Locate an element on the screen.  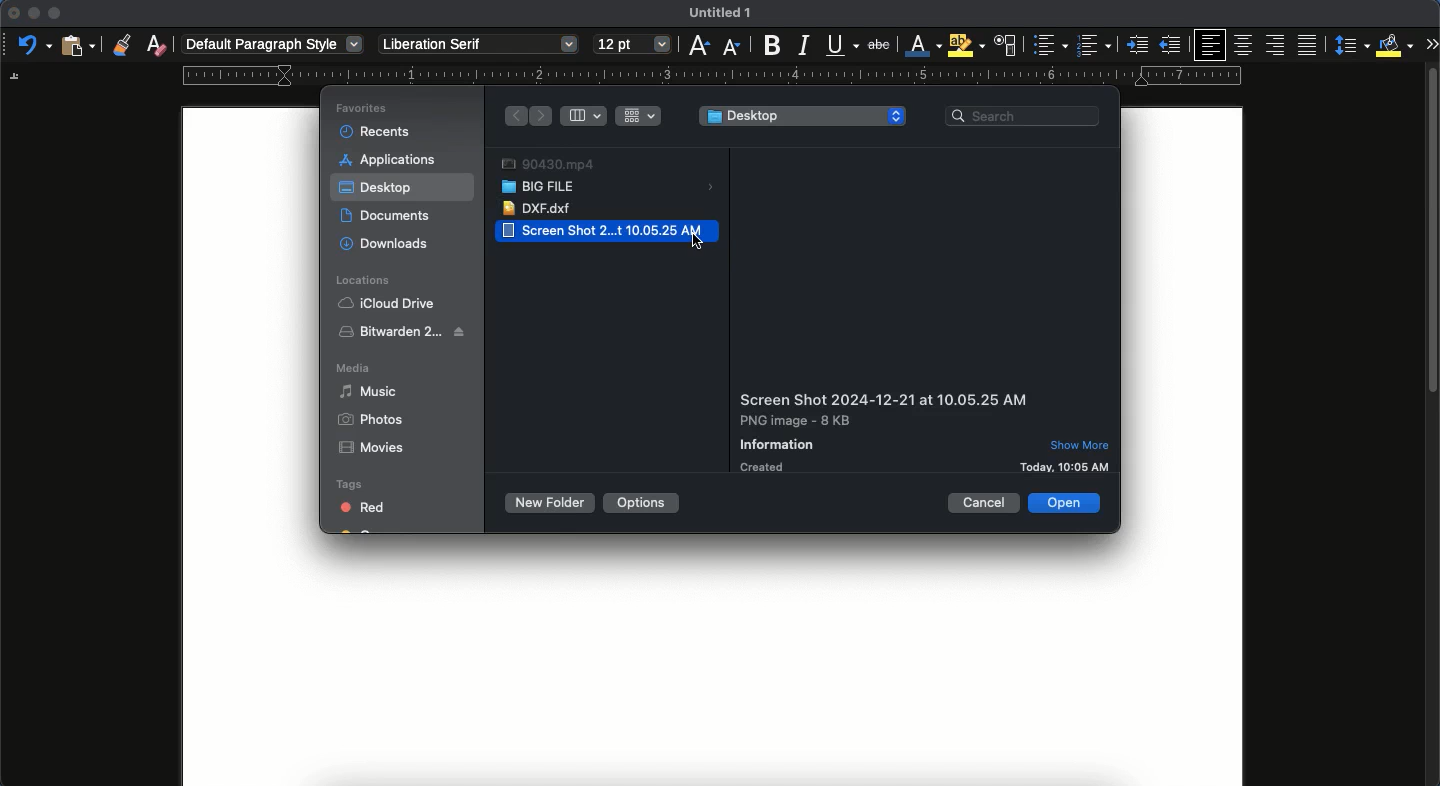
forward is located at coordinates (544, 117).